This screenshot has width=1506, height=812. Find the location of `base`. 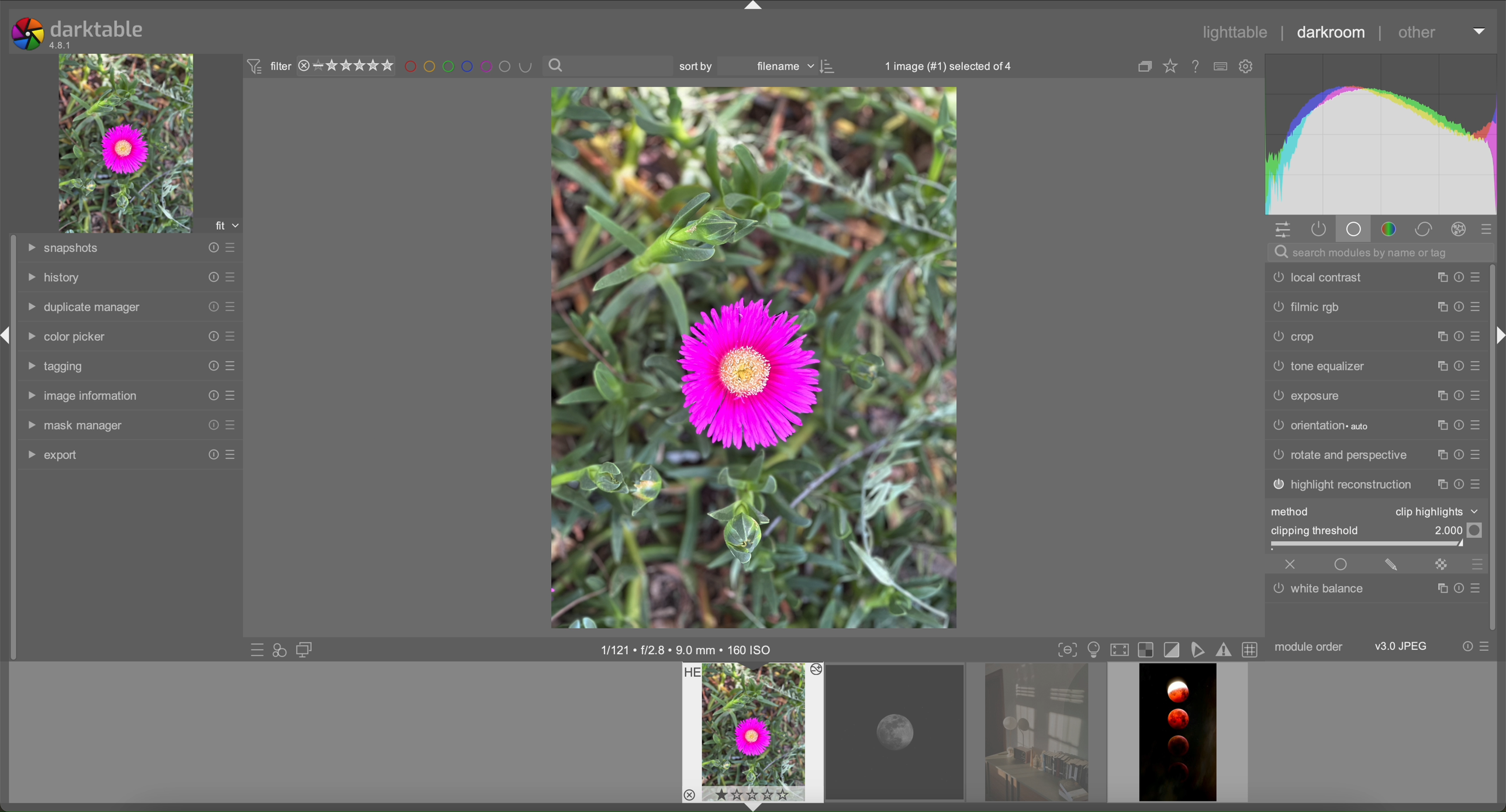

base is located at coordinates (1353, 228).